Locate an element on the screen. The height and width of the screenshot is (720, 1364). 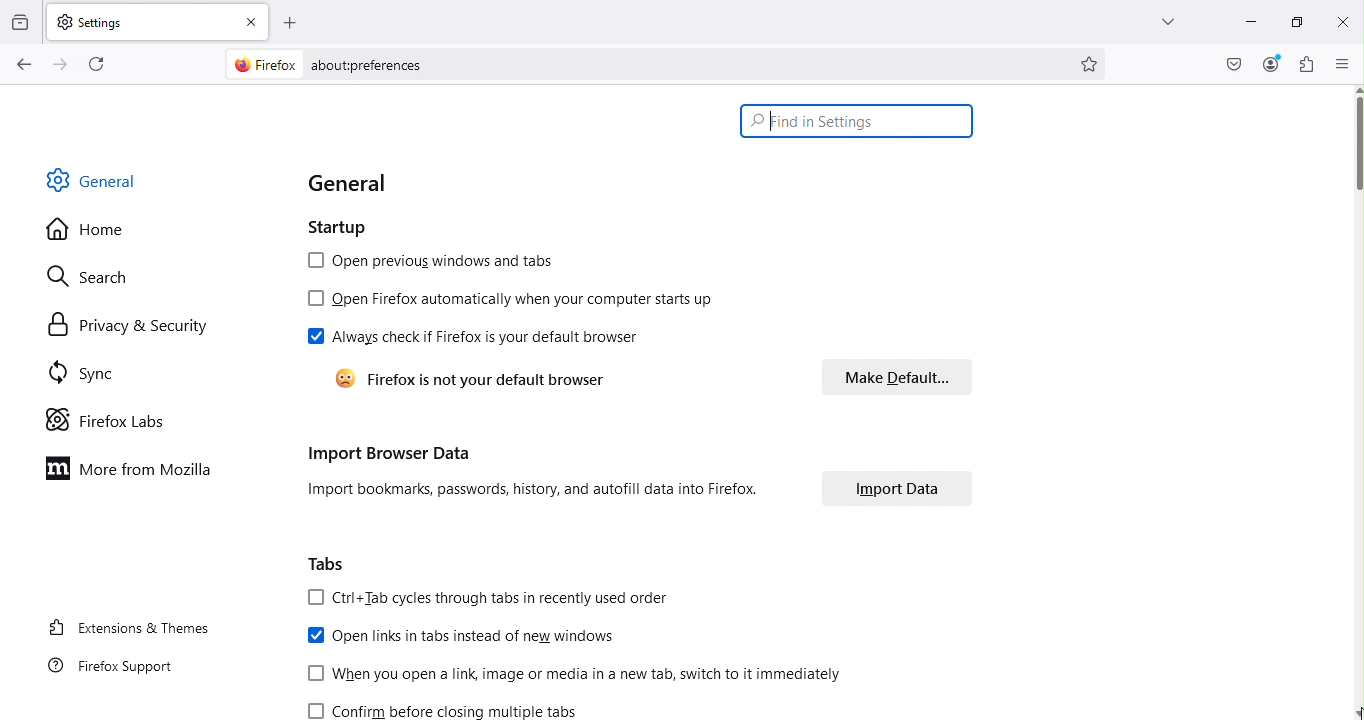
Privacy and security is located at coordinates (126, 325).